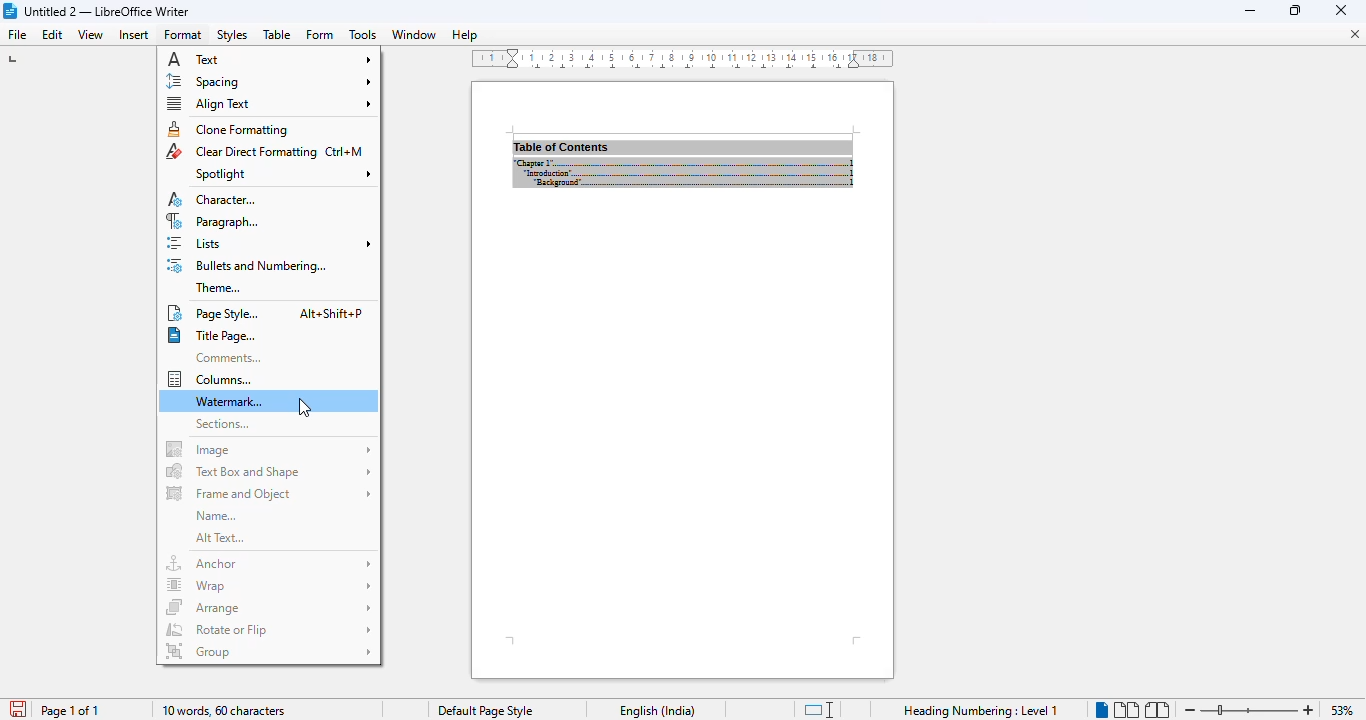 The height and width of the screenshot is (720, 1366). What do you see at coordinates (319, 35) in the screenshot?
I see `form` at bounding box center [319, 35].